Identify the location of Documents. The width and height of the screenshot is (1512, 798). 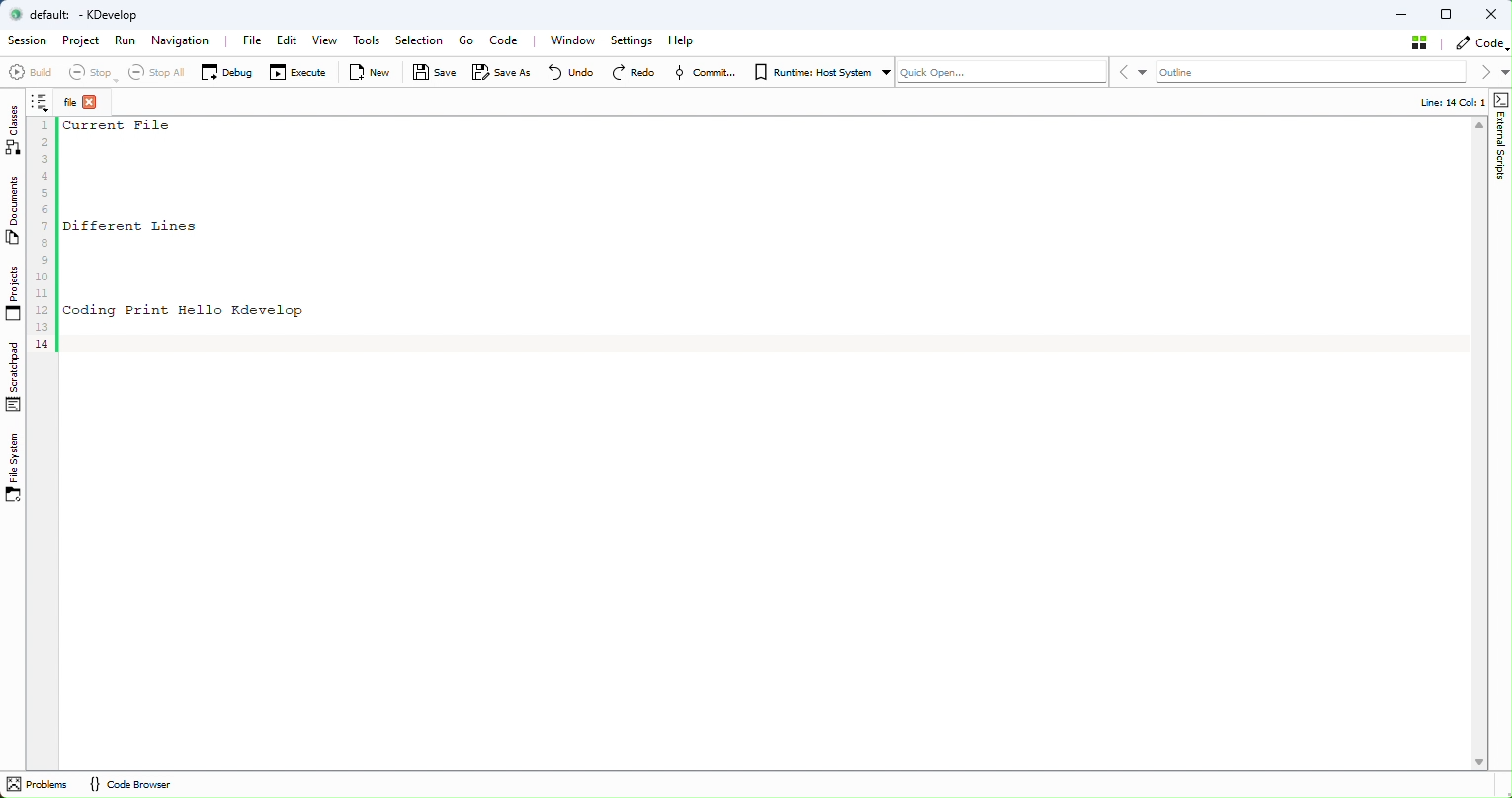
(18, 213).